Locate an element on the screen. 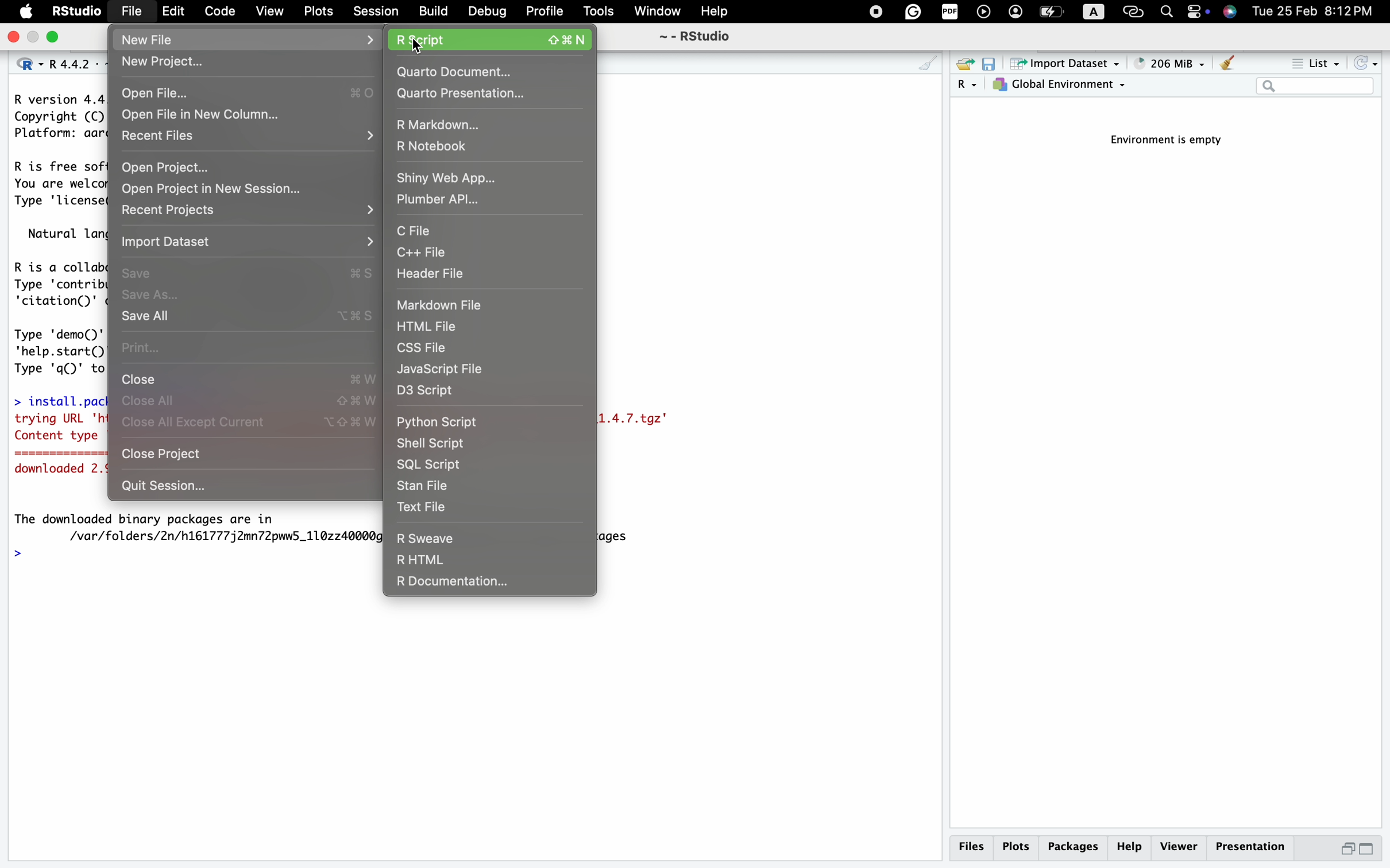 The height and width of the screenshot is (868, 1390). print is located at coordinates (248, 347).